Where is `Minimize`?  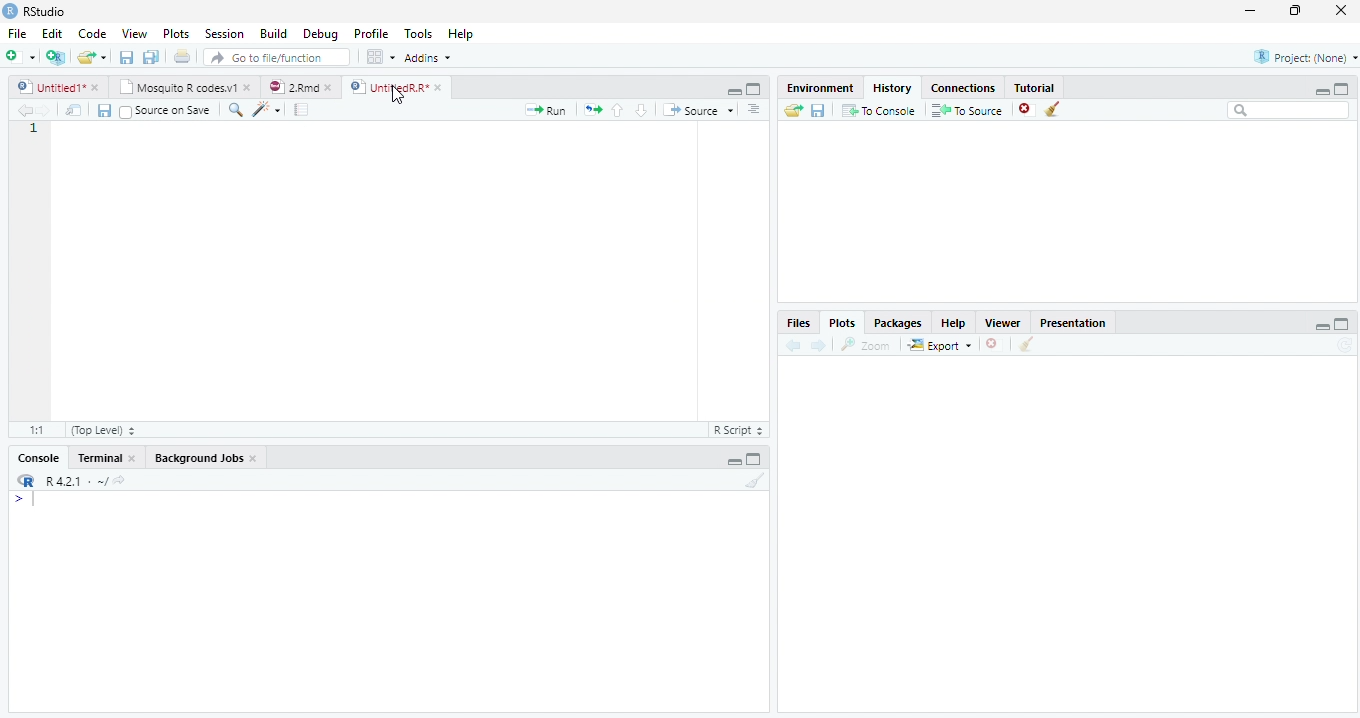
Minimize is located at coordinates (1321, 92).